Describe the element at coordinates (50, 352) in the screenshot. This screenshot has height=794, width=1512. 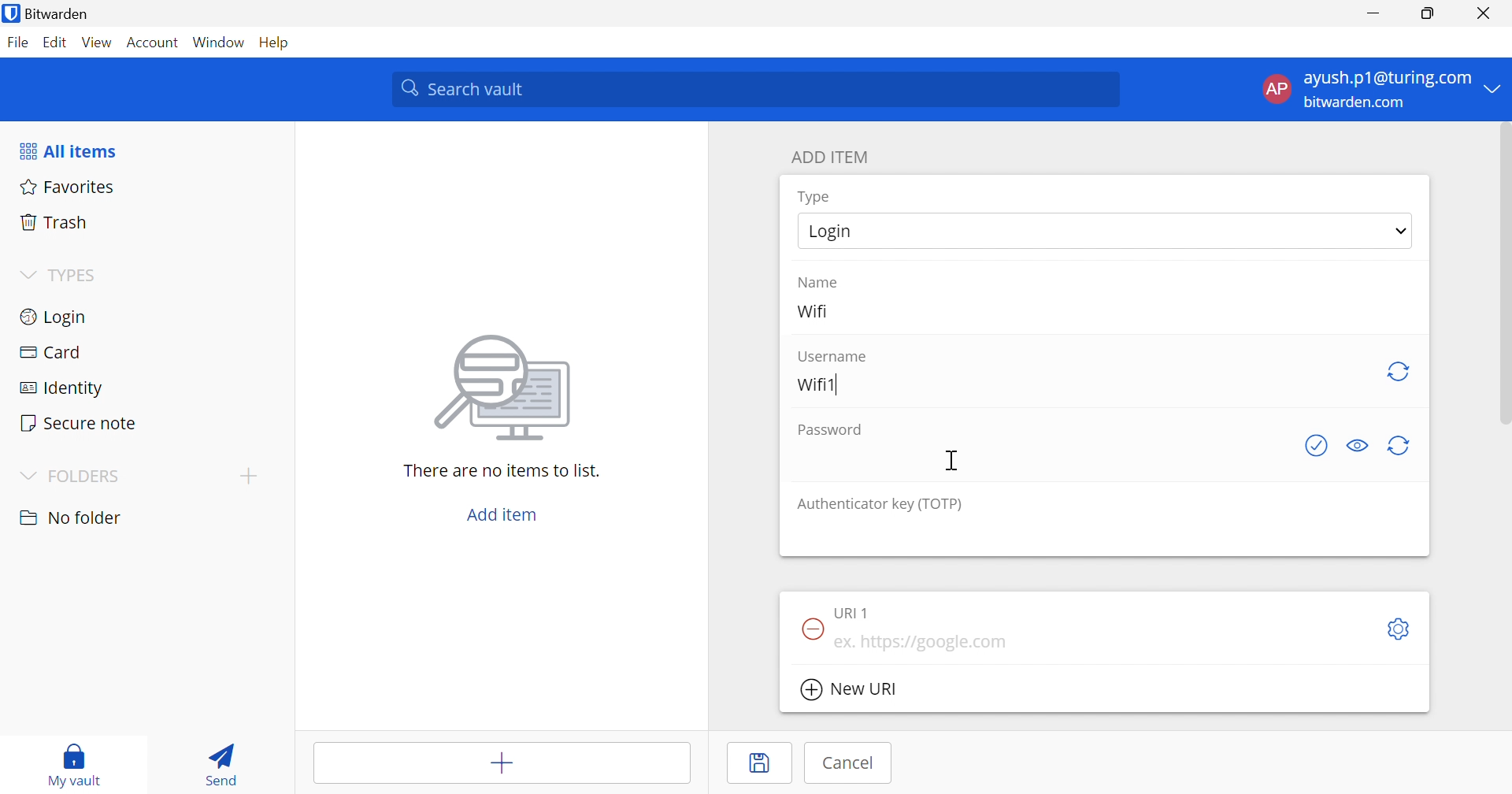
I see `Card` at that location.